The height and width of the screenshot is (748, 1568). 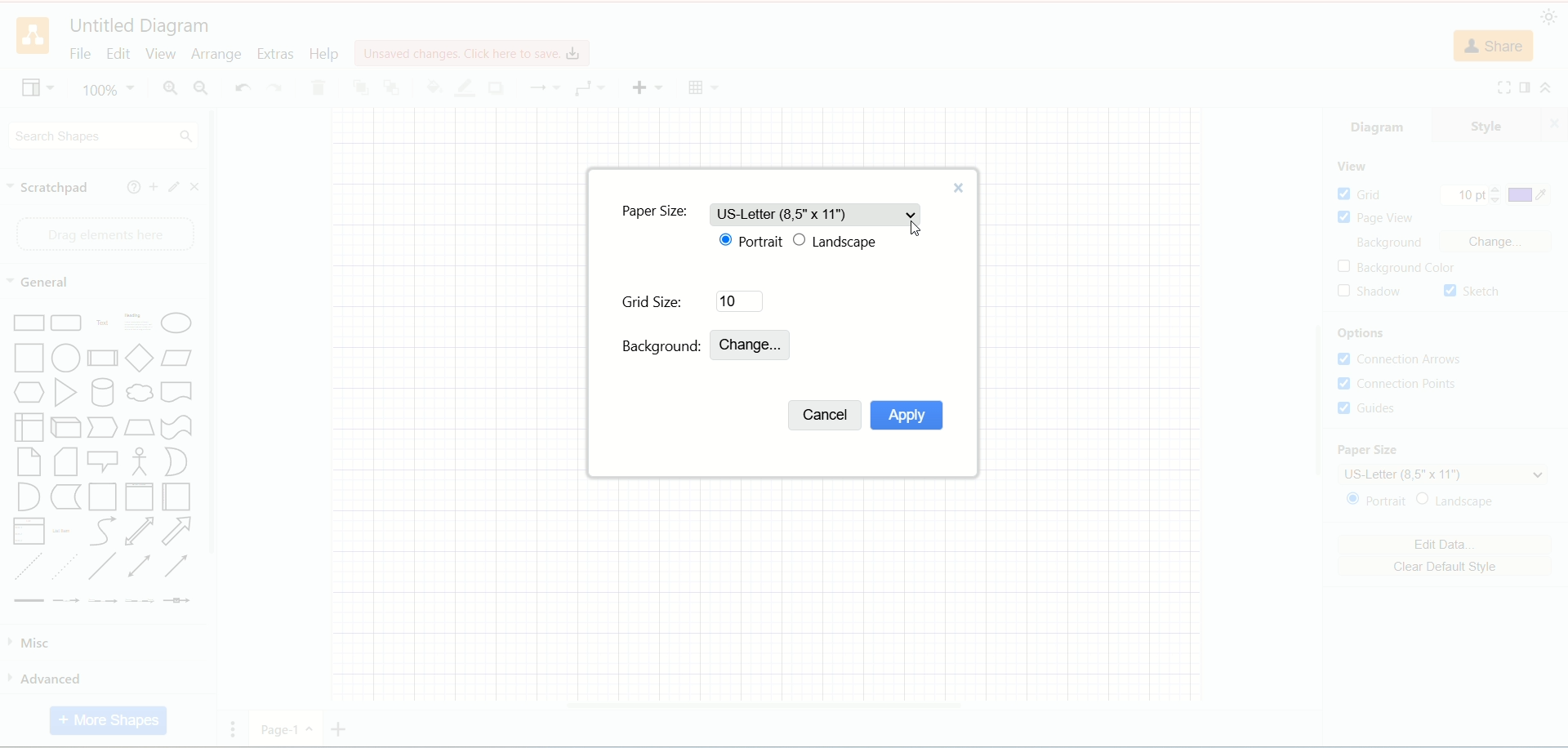 What do you see at coordinates (178, 602) in the screenshot?
I see `Connector with Icon Symbol` at bounding box center [178, 602].